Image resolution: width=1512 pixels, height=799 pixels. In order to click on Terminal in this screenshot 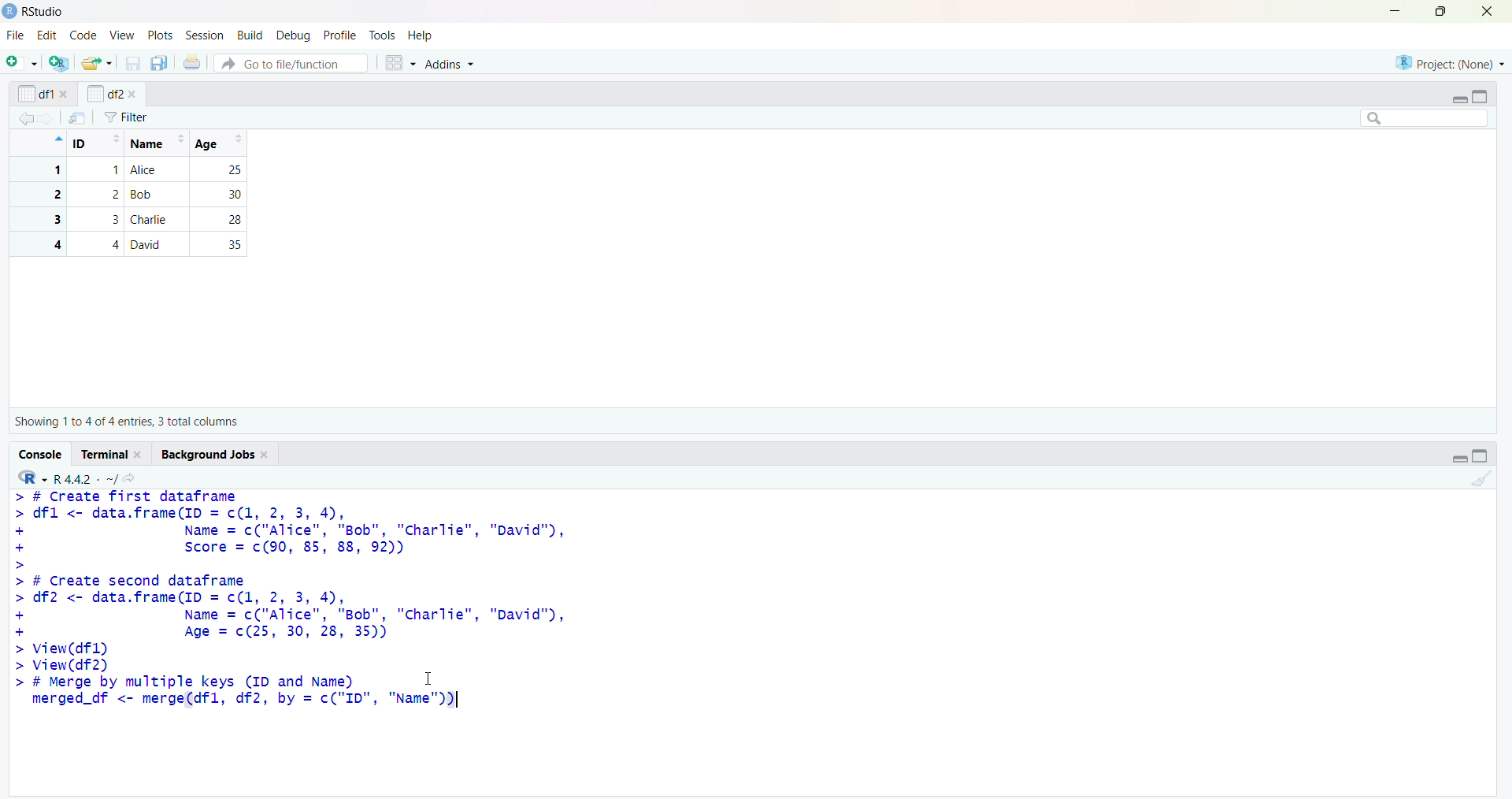, I will do `click(106, 454)`.